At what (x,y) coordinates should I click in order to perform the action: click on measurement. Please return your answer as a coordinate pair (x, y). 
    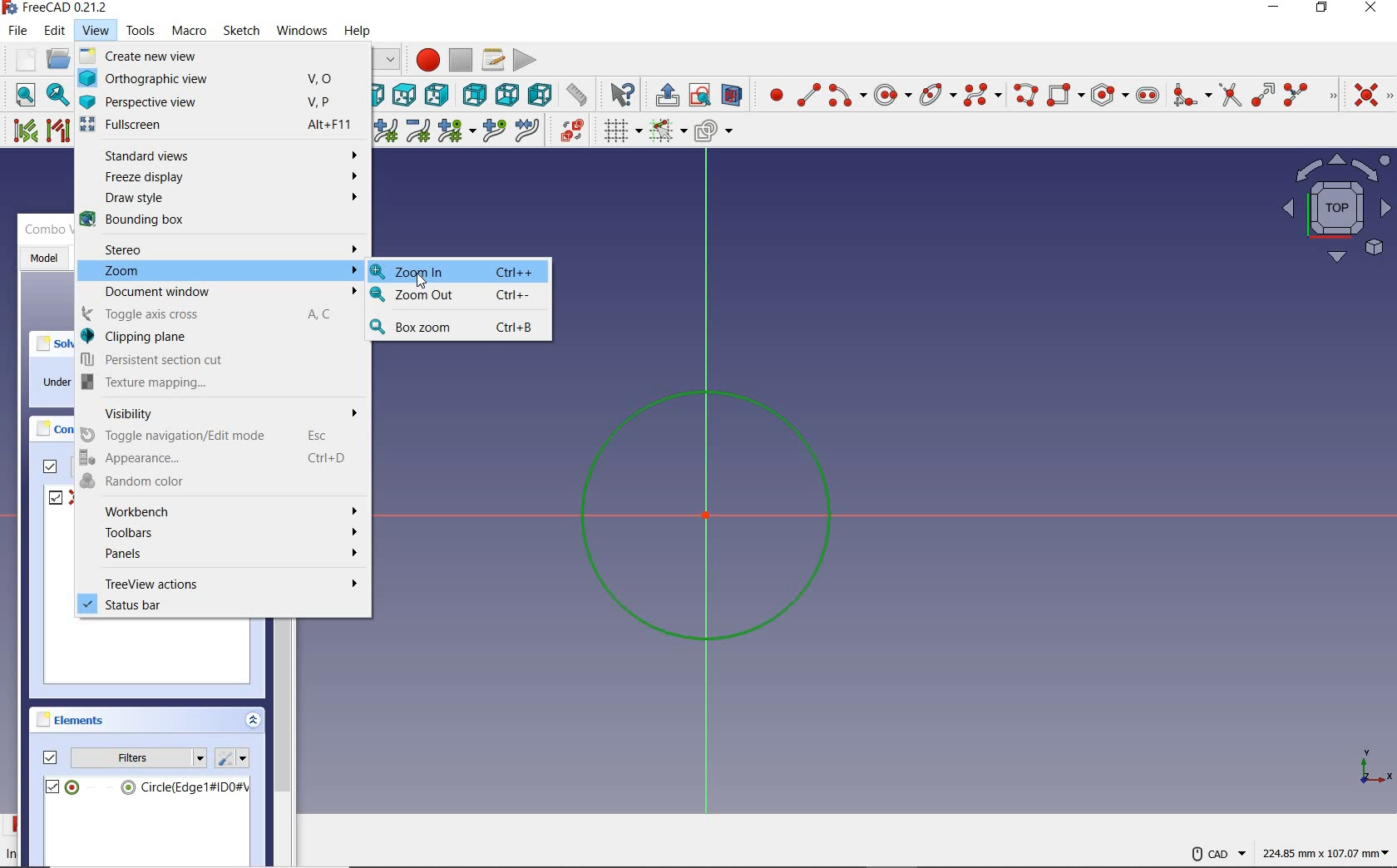
    Looking at the image, I should click on (576, 96).